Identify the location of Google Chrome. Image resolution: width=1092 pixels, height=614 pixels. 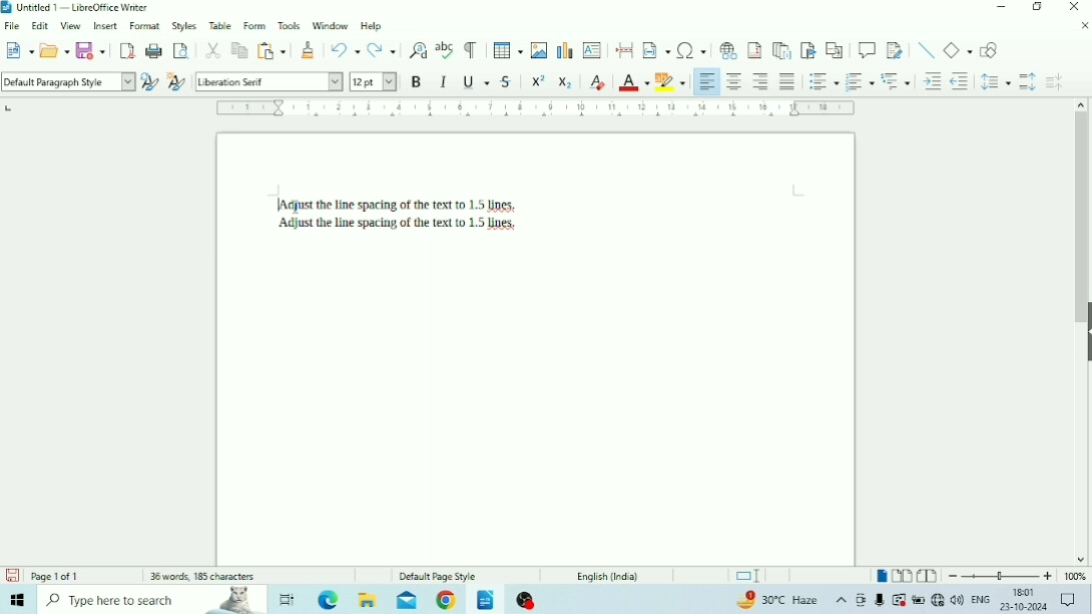
(446, 600).